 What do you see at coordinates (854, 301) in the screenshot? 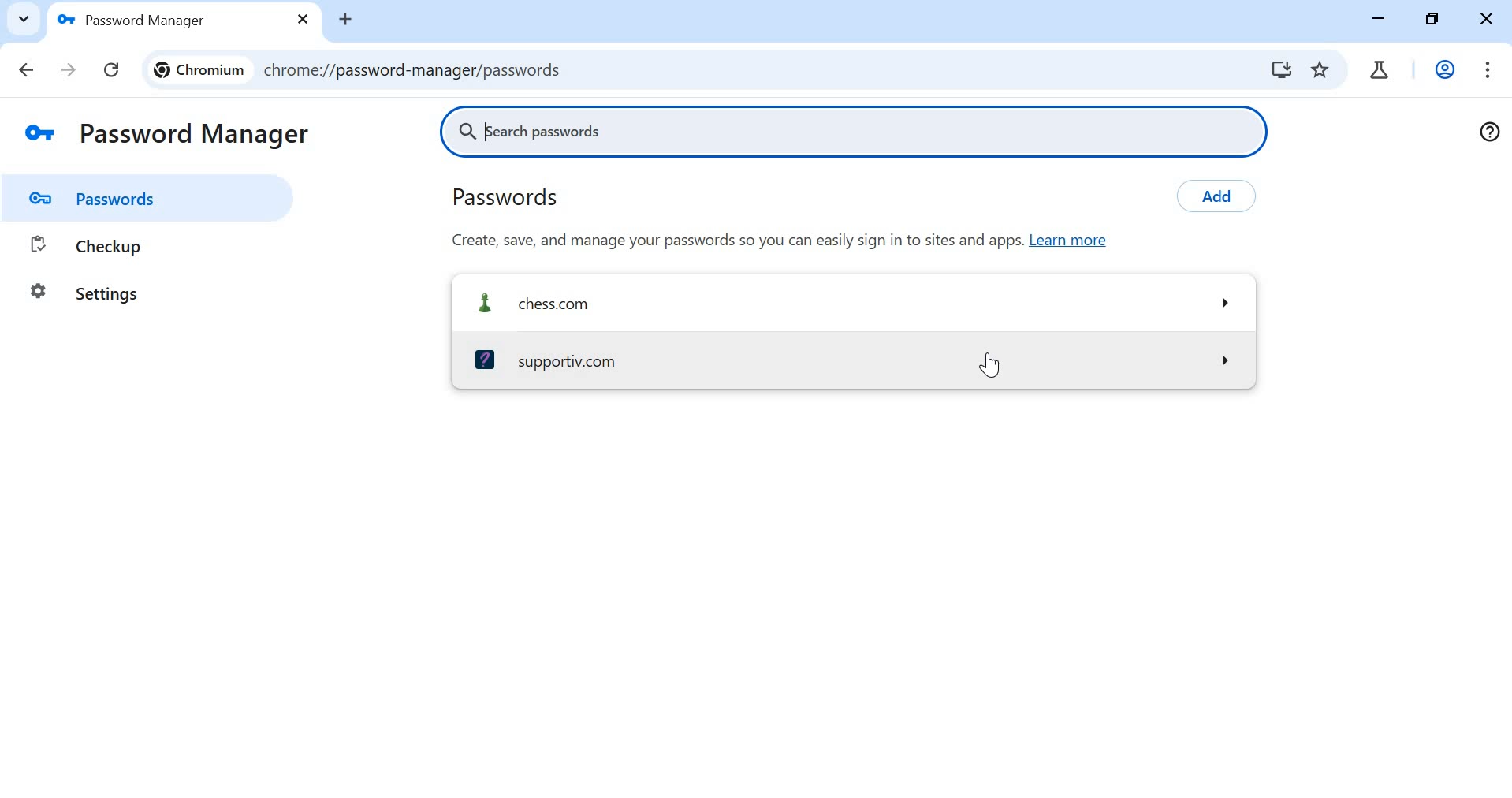
I see `chess.com` at bounding box center [854, 301].